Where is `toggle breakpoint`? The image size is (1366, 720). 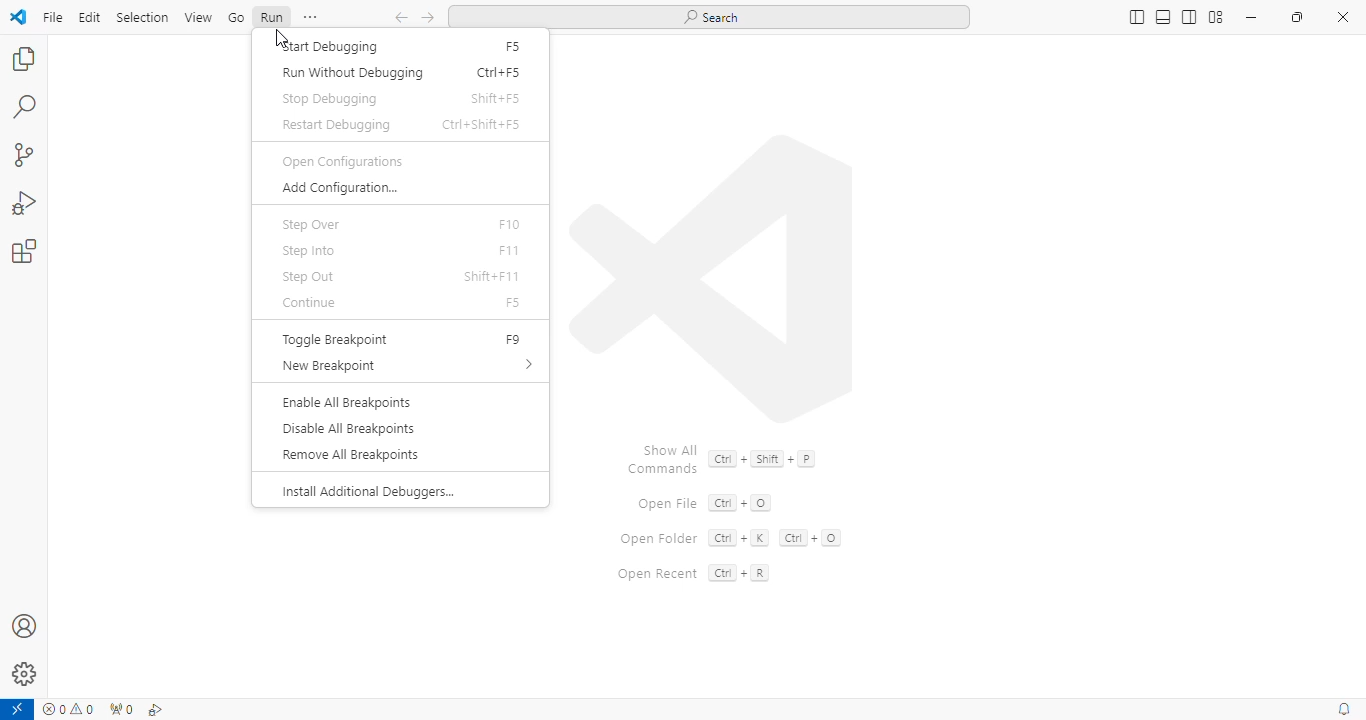
toggle breakpoint is located at coordinates (336, 340).